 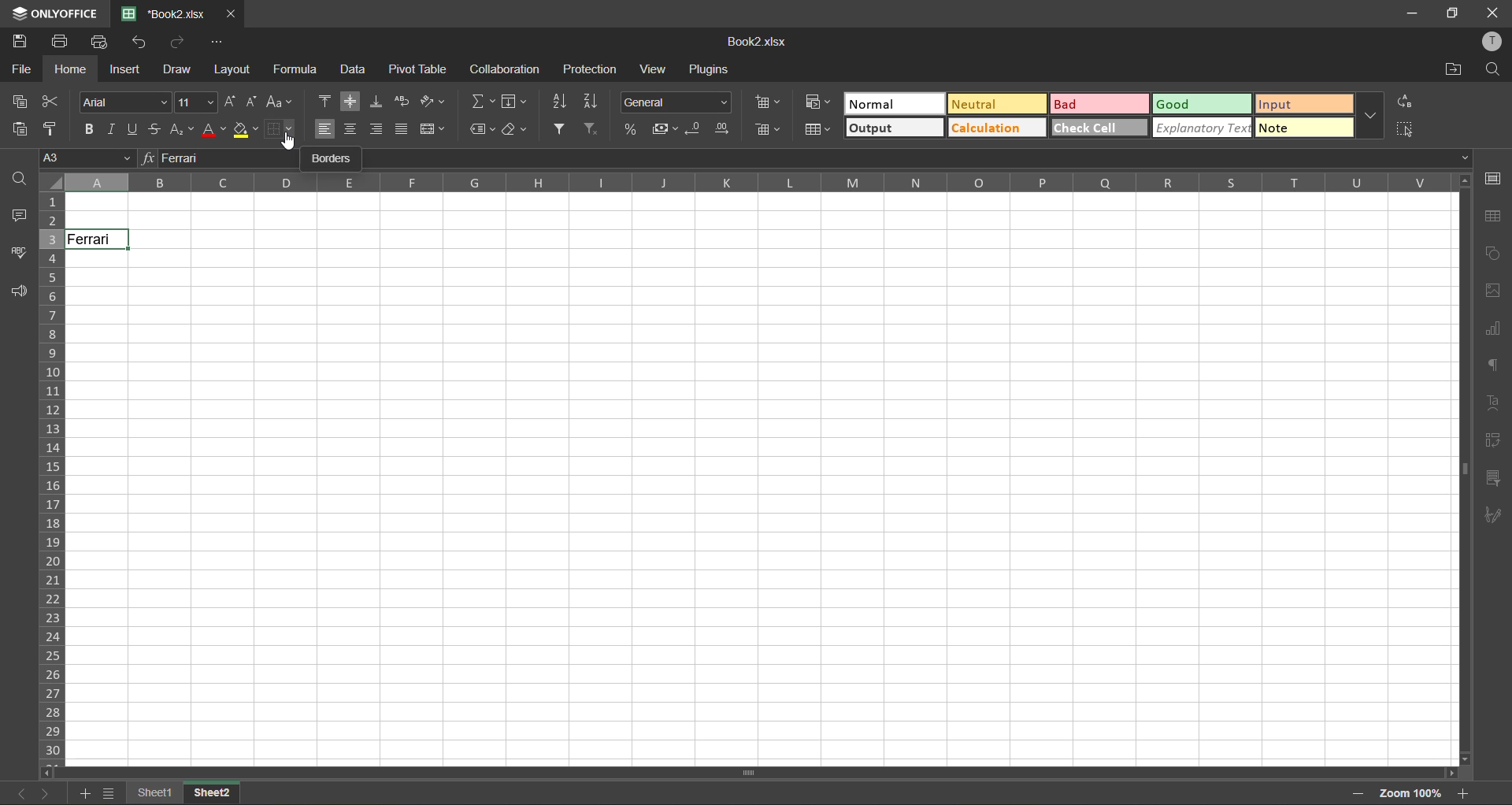 I want to click on zoom in, so click(x=1458, y=793).